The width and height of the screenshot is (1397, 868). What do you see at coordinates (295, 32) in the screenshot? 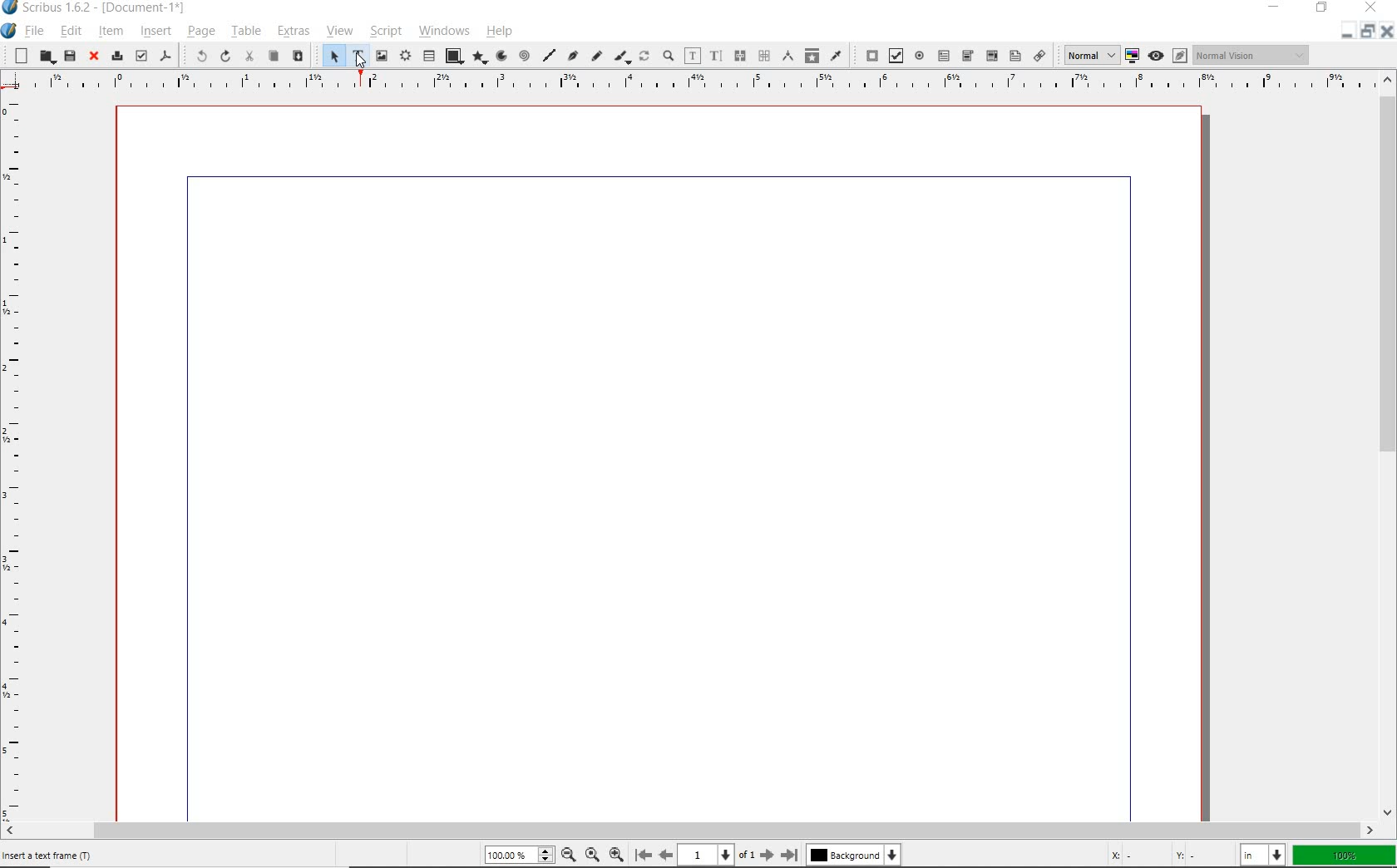
I see `extras` at bounding box center [295, 32].